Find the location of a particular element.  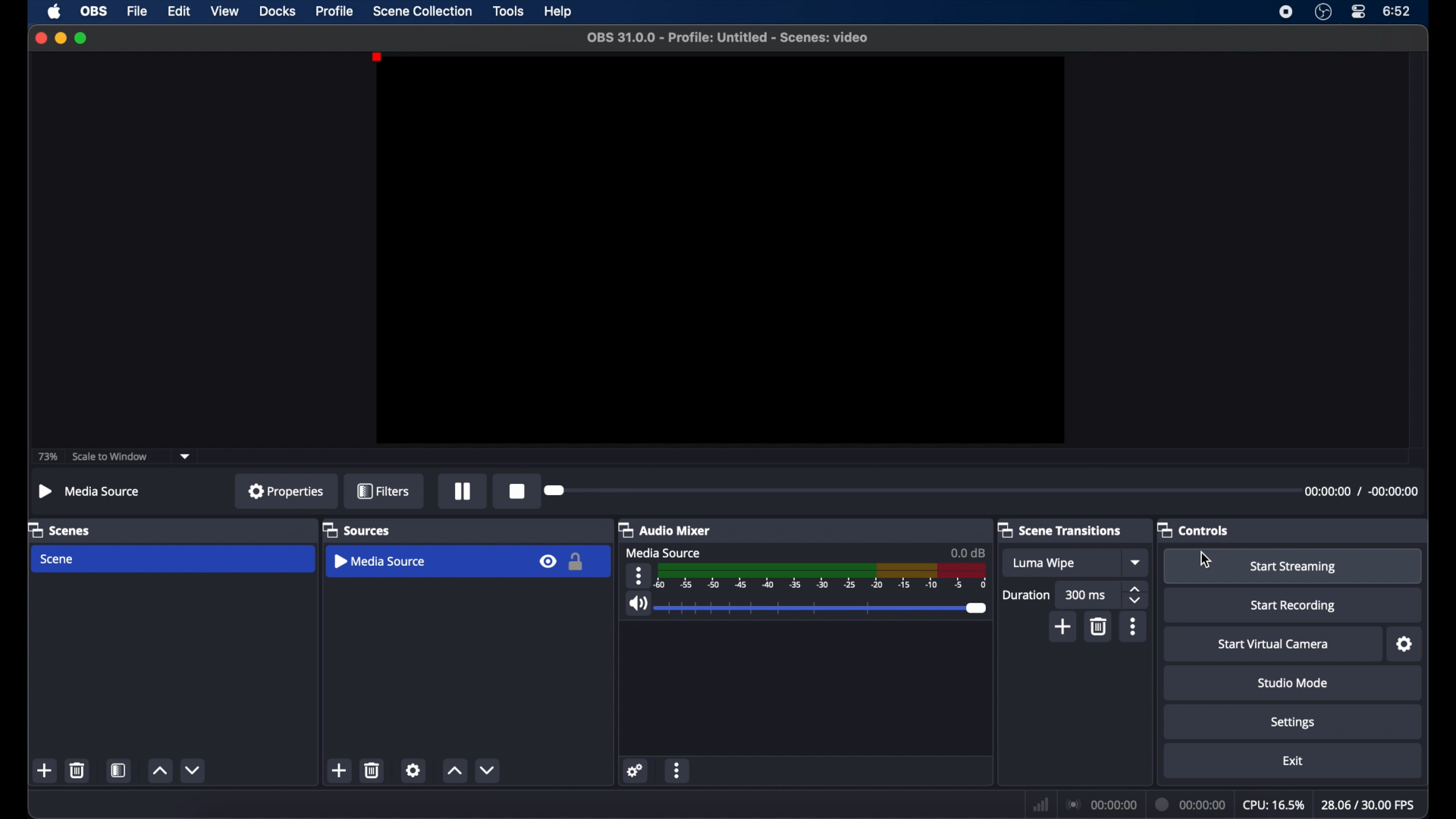

more options is located at coordinates (1133, 626).